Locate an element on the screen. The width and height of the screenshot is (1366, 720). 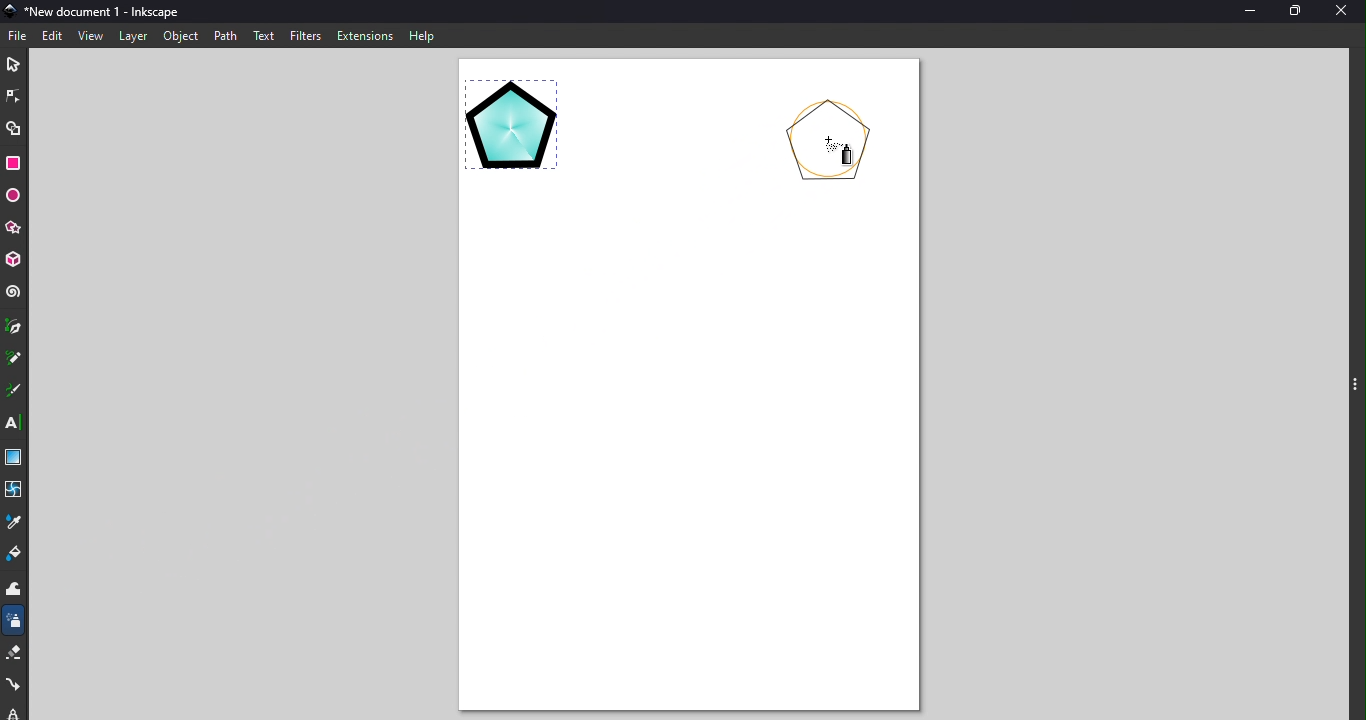
Mesh tool is located at coordinates (15, 488).